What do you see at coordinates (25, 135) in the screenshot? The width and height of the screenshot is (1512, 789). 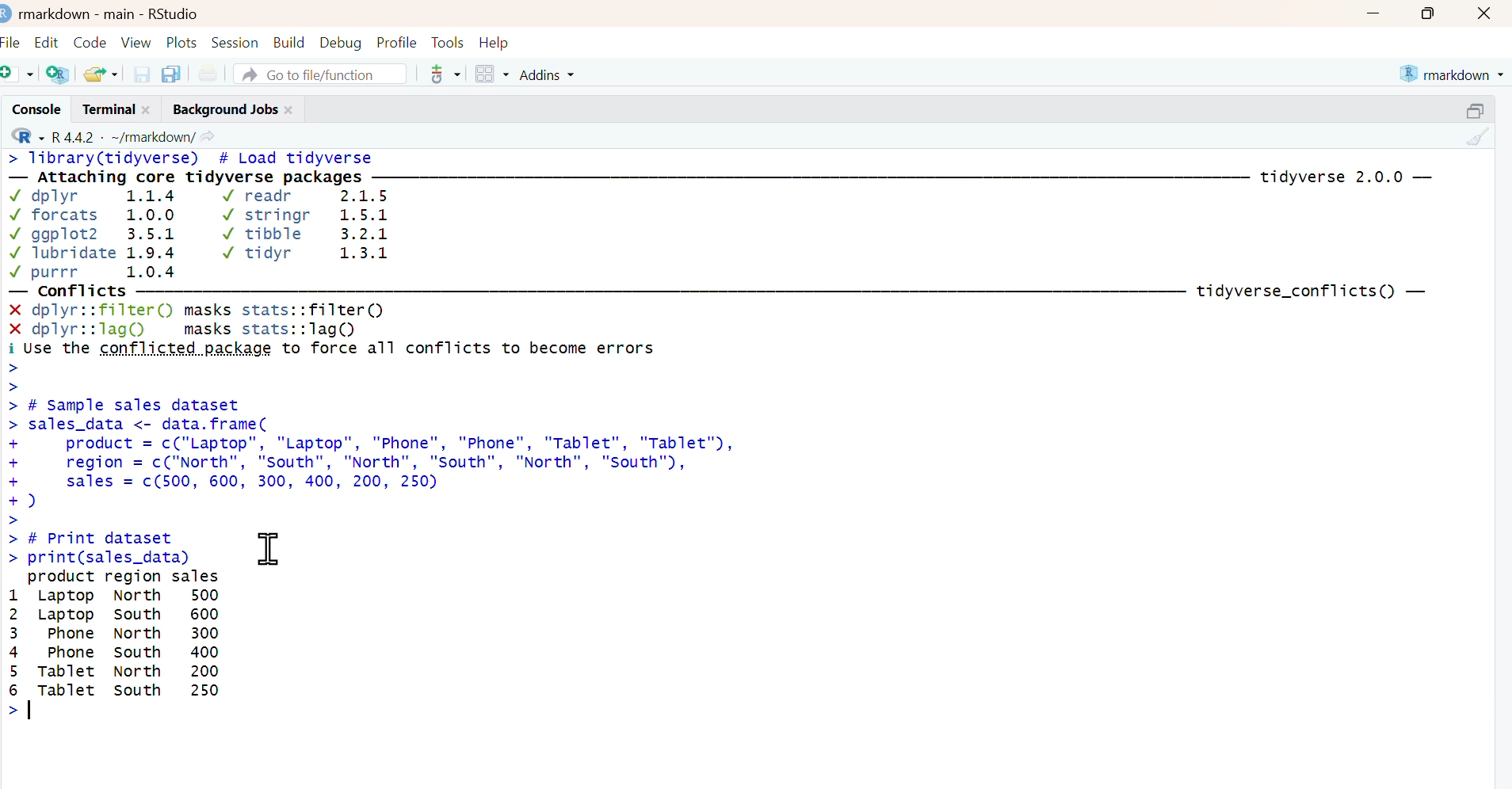 I see `R` at bounding box center [25, 135].